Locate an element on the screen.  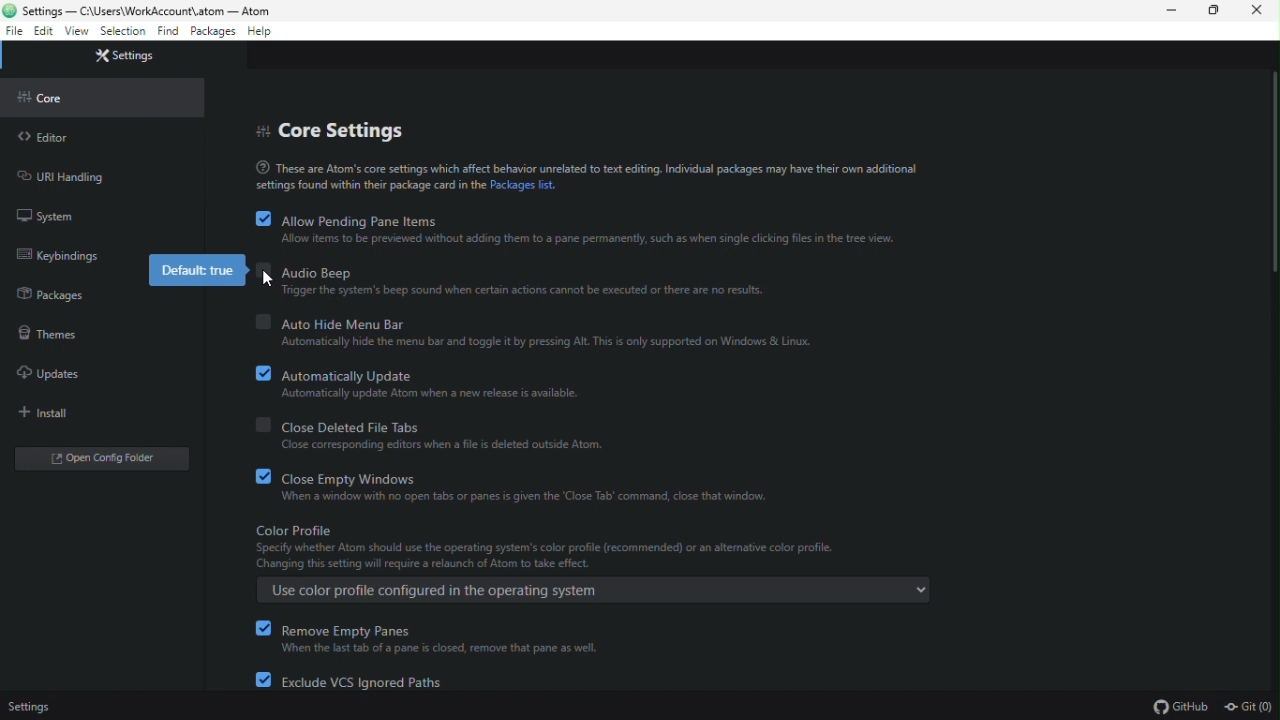
themes is located at coordinates (48, 334).